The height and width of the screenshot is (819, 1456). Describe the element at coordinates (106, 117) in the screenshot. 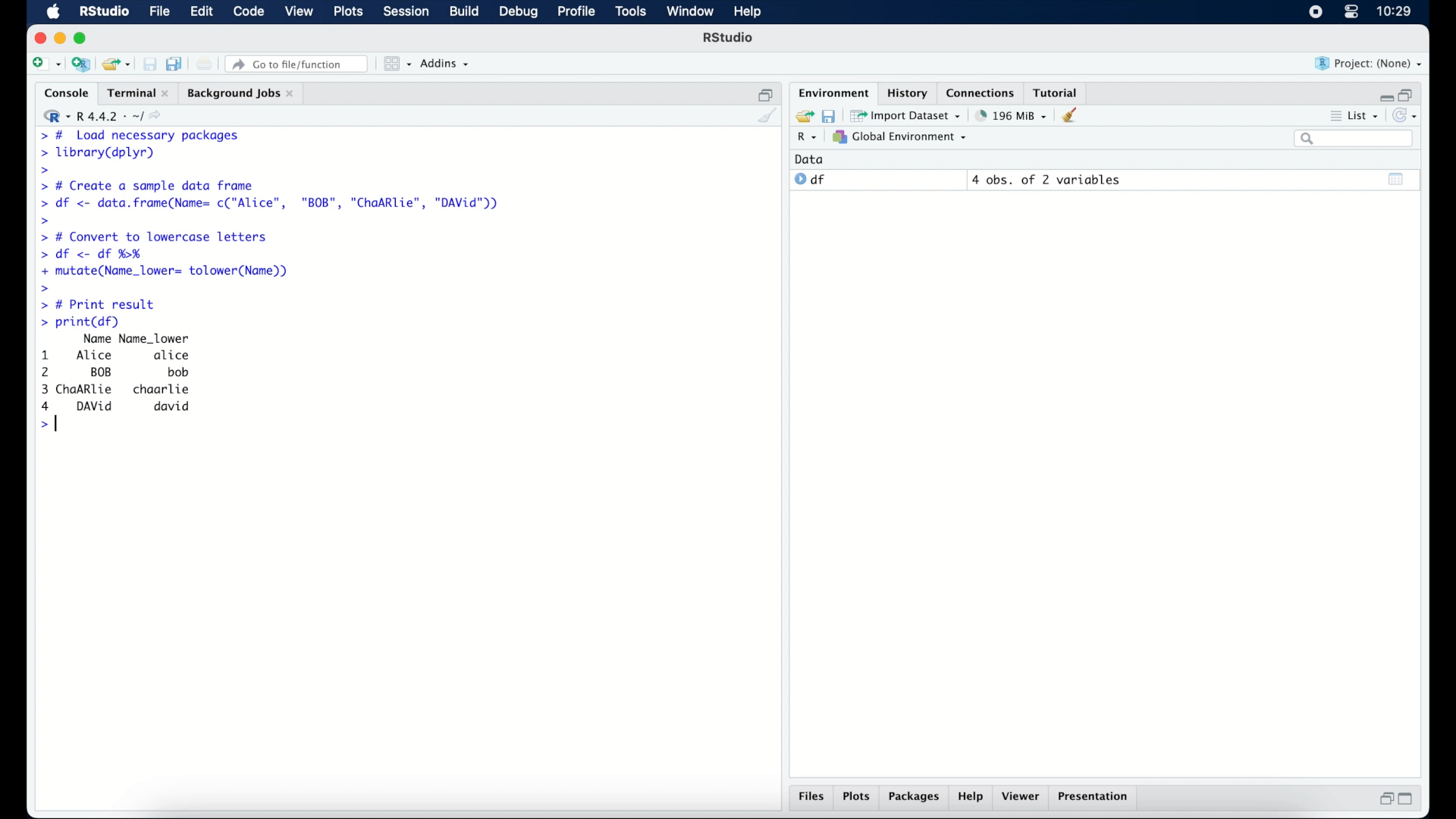

I see `R 4.4.2` at that location.